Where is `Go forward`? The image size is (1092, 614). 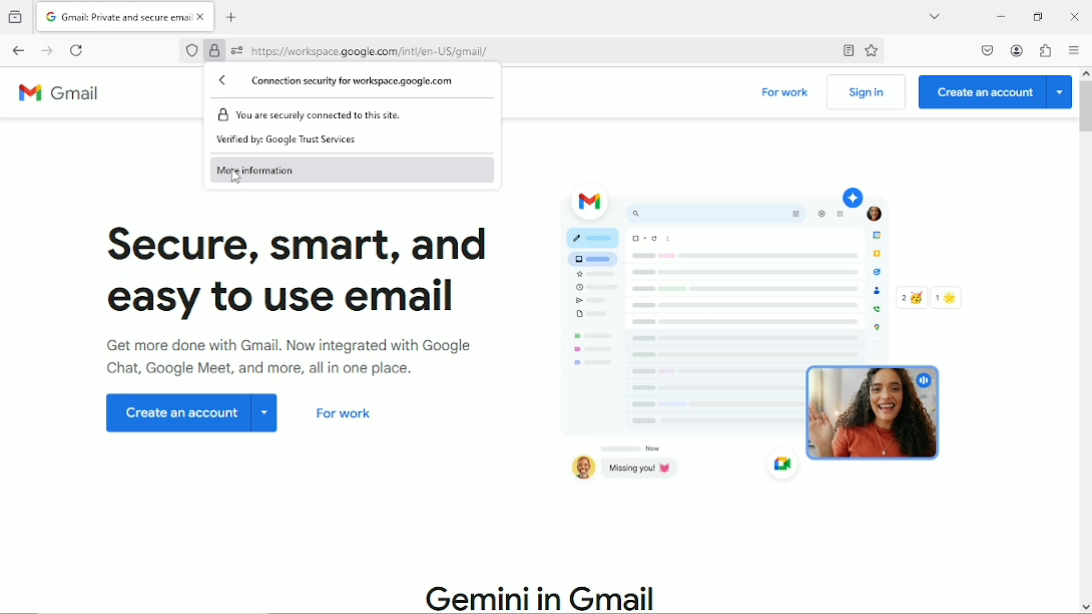 Go forward is located at coordinates (47, 50).